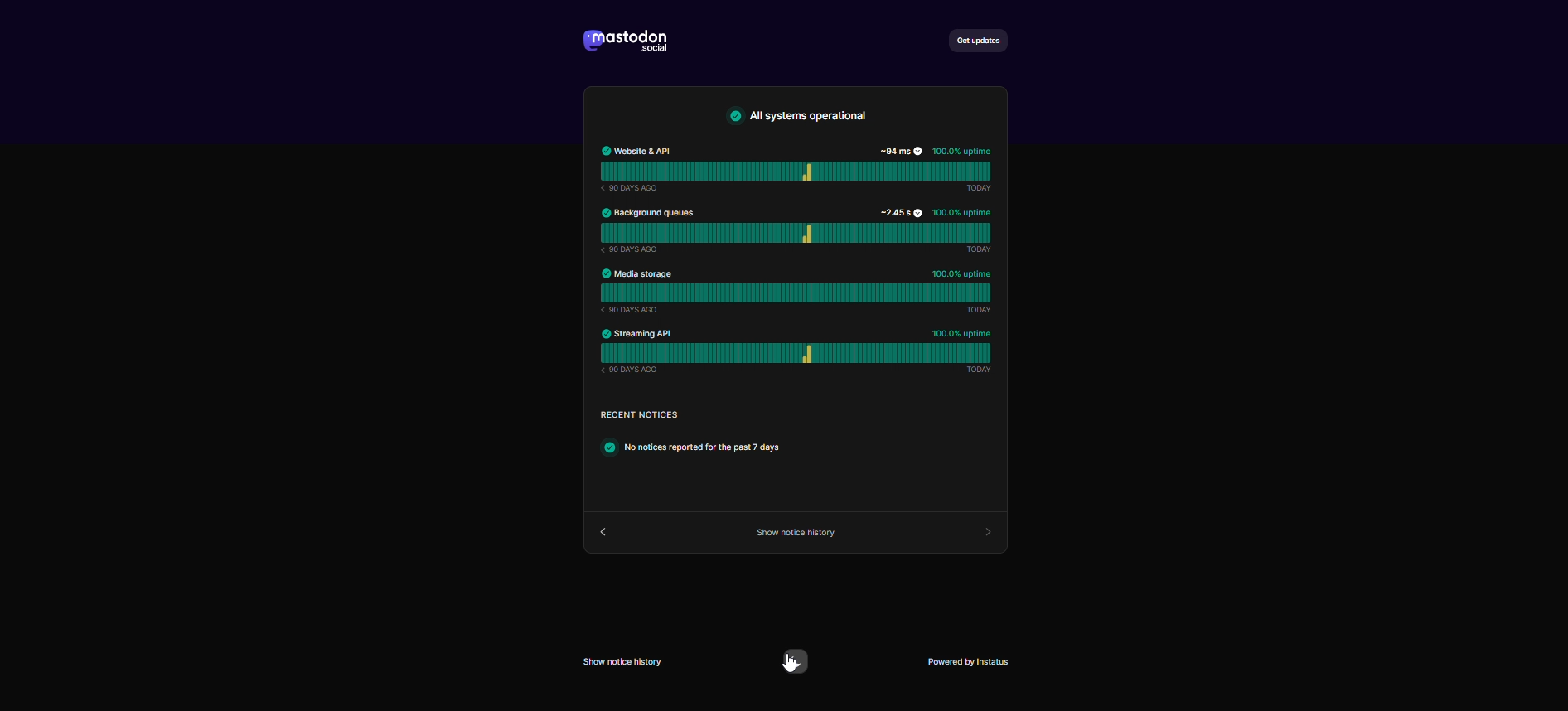 The image size is (1568, 711). Describe the element at coordinates (607, 533) in the screenshot. I see `back` at that location.